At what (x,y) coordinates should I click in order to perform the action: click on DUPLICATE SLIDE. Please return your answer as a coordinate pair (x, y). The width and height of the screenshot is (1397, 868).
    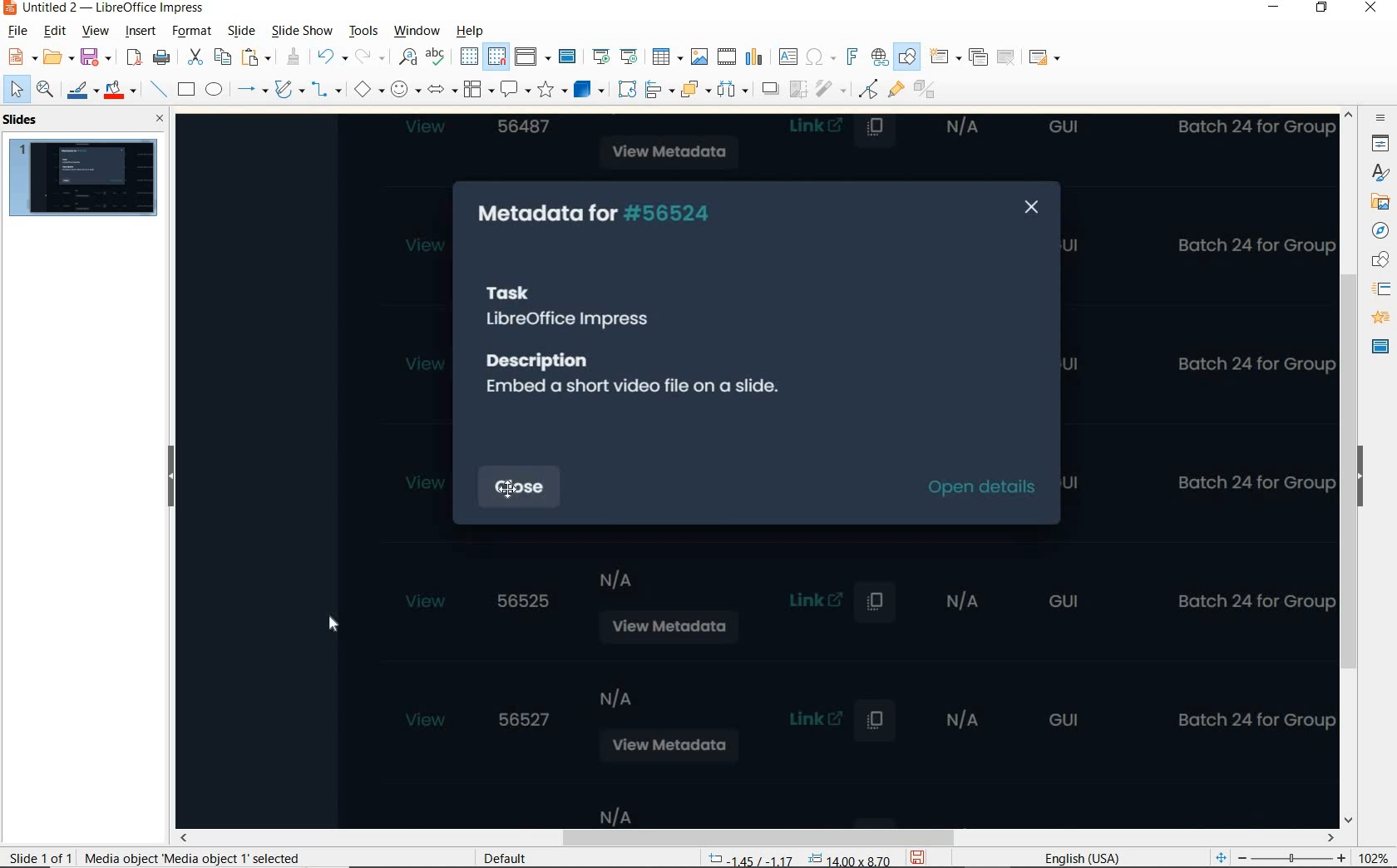
    Looking at the image, I should click on (979, 59).